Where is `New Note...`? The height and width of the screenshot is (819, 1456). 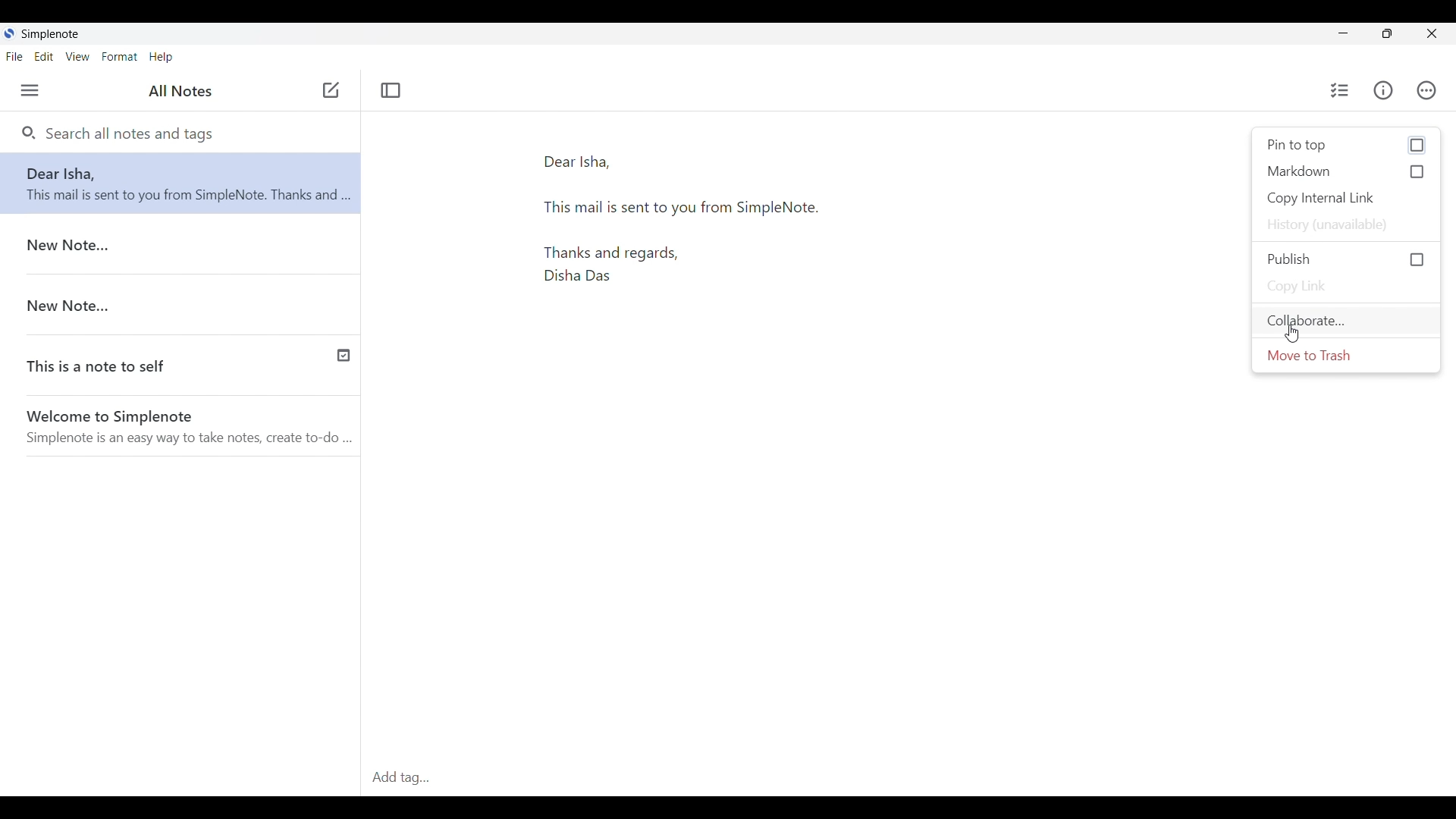 New Note... is located at coordinates (179, 243).